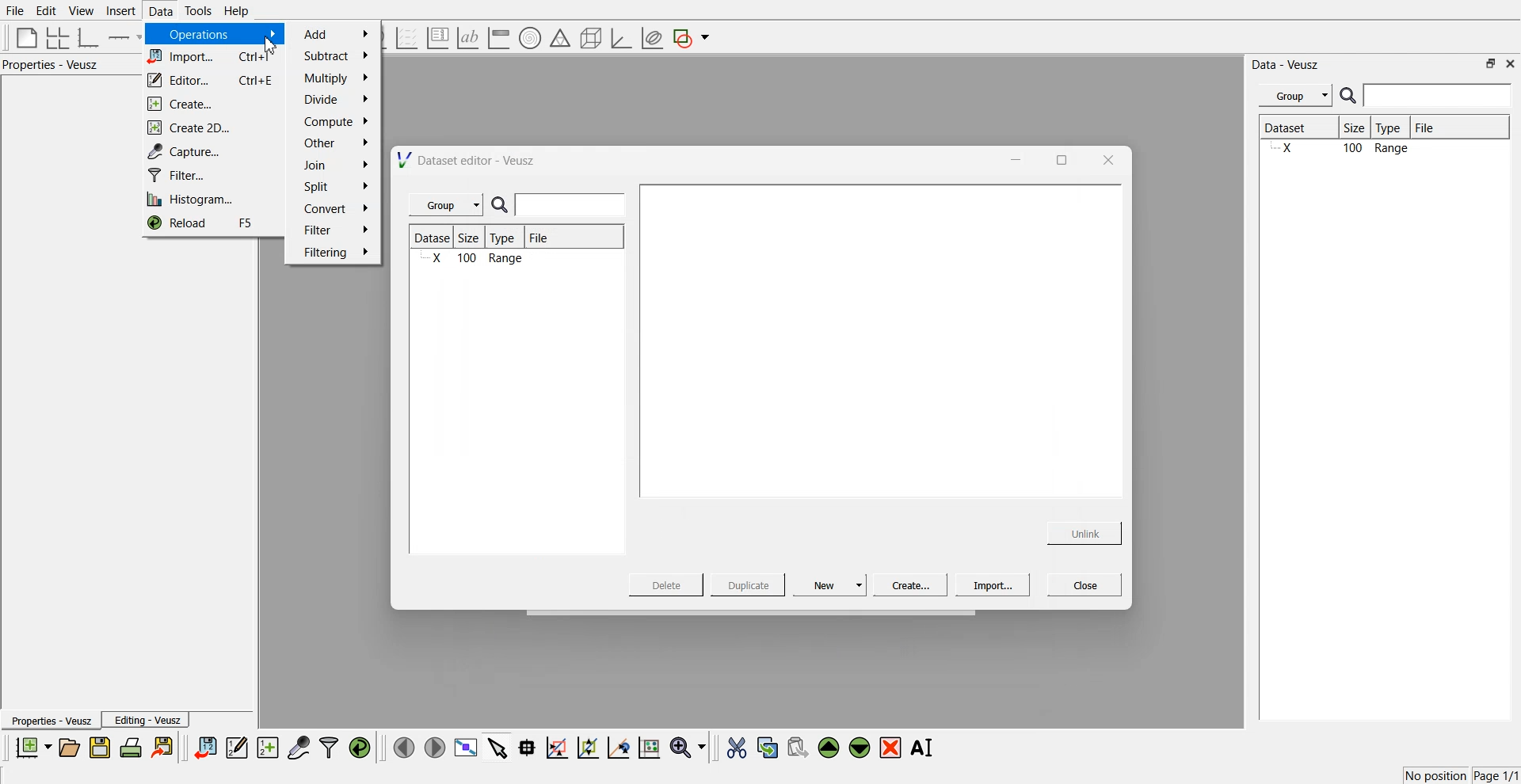 This screenshot has width=1521, height=784. Describe the element at coordinates (558, 40) in the screenshot. I see `ternary shapes` at that location.